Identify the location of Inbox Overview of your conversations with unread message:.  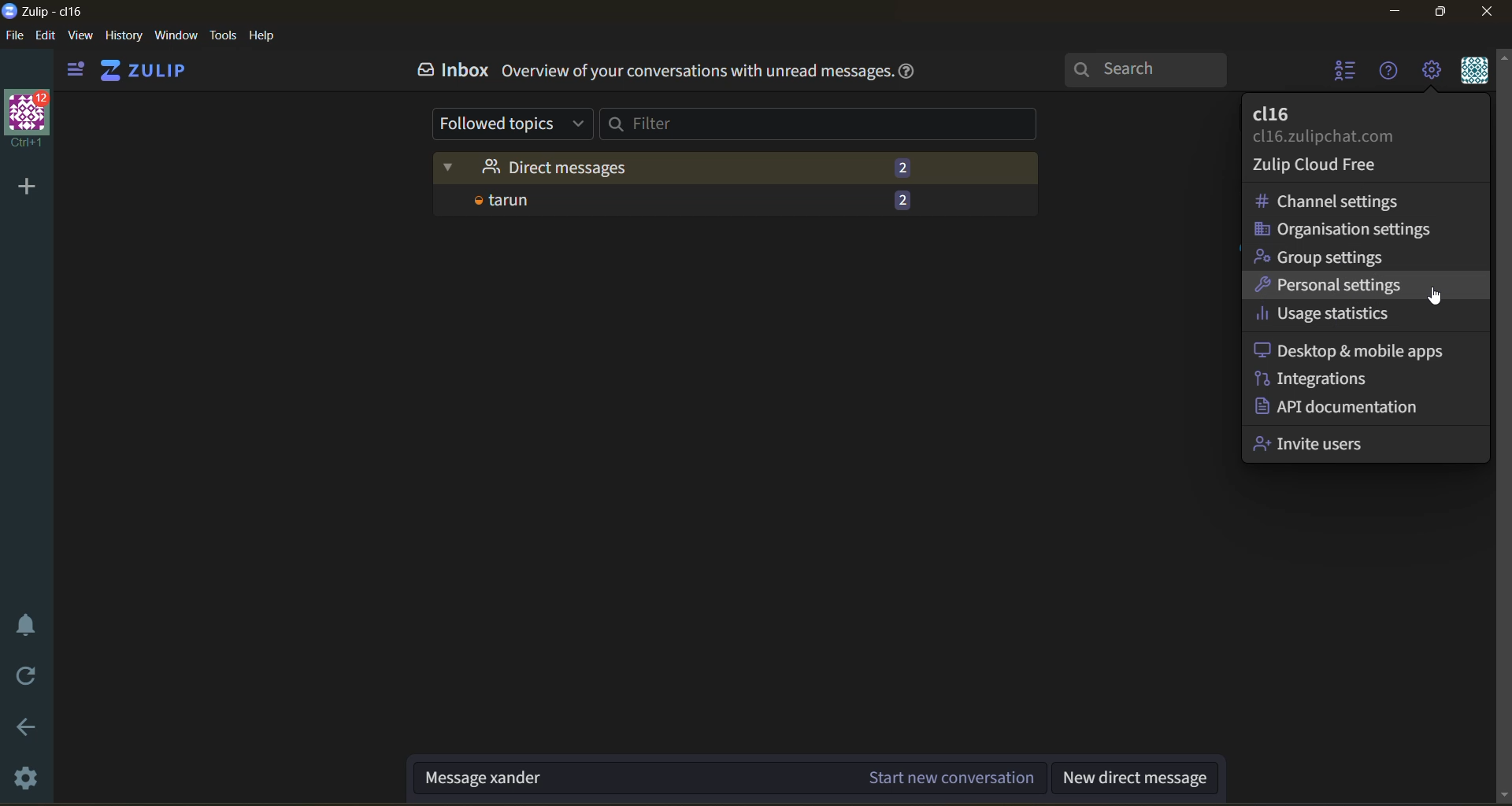
(644, 70).